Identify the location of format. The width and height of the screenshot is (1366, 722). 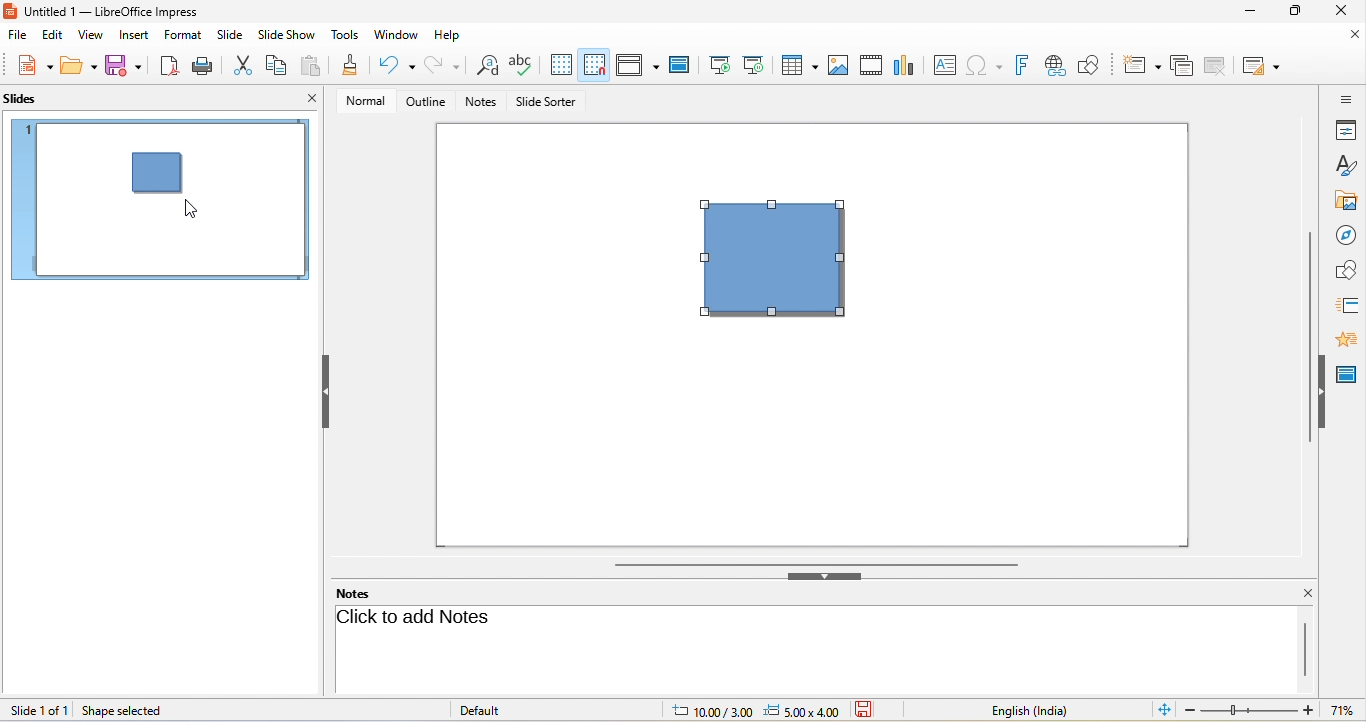
(184, 35).